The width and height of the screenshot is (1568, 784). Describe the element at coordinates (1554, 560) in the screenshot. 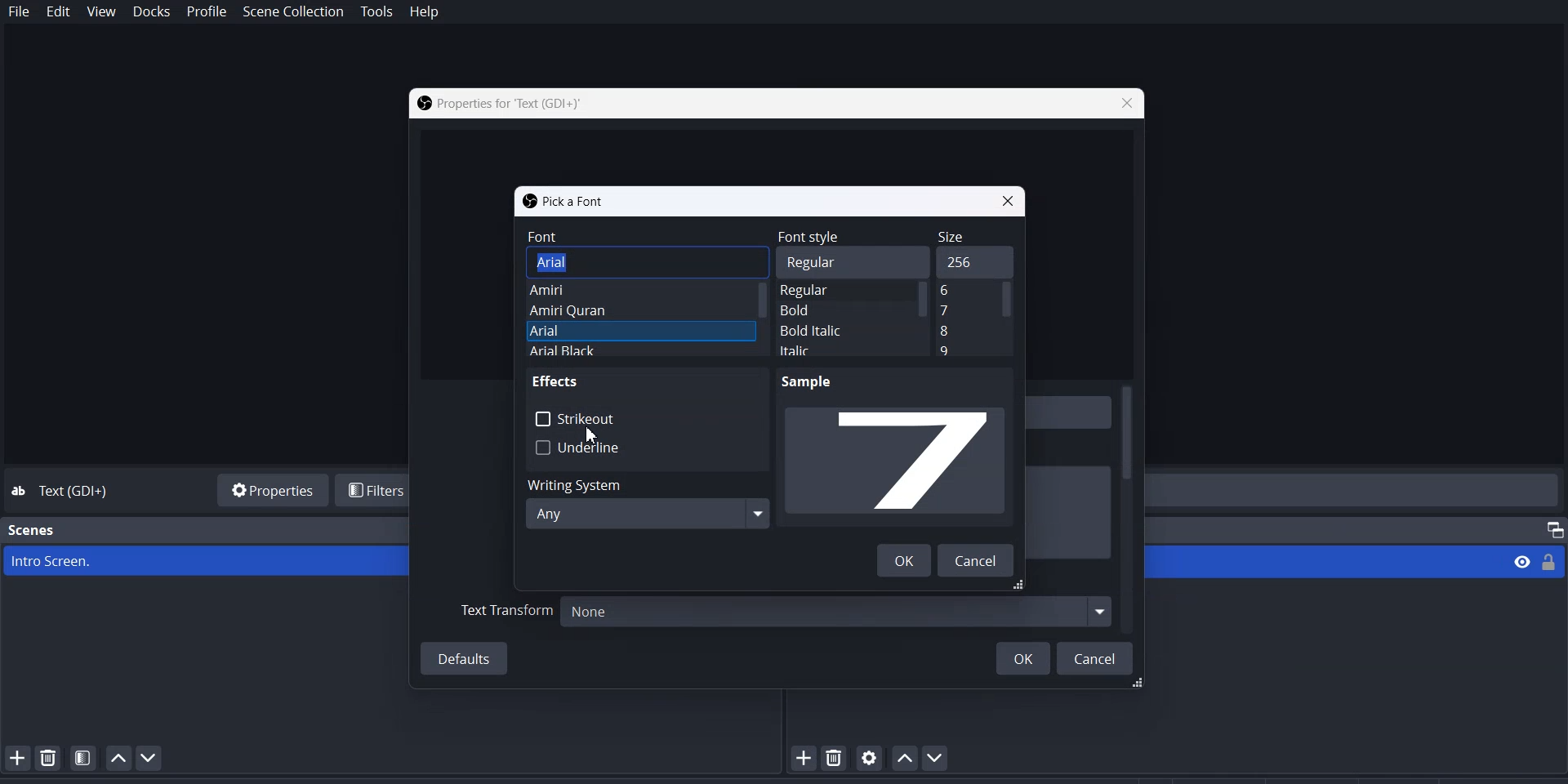

I see `Lock` at that location.